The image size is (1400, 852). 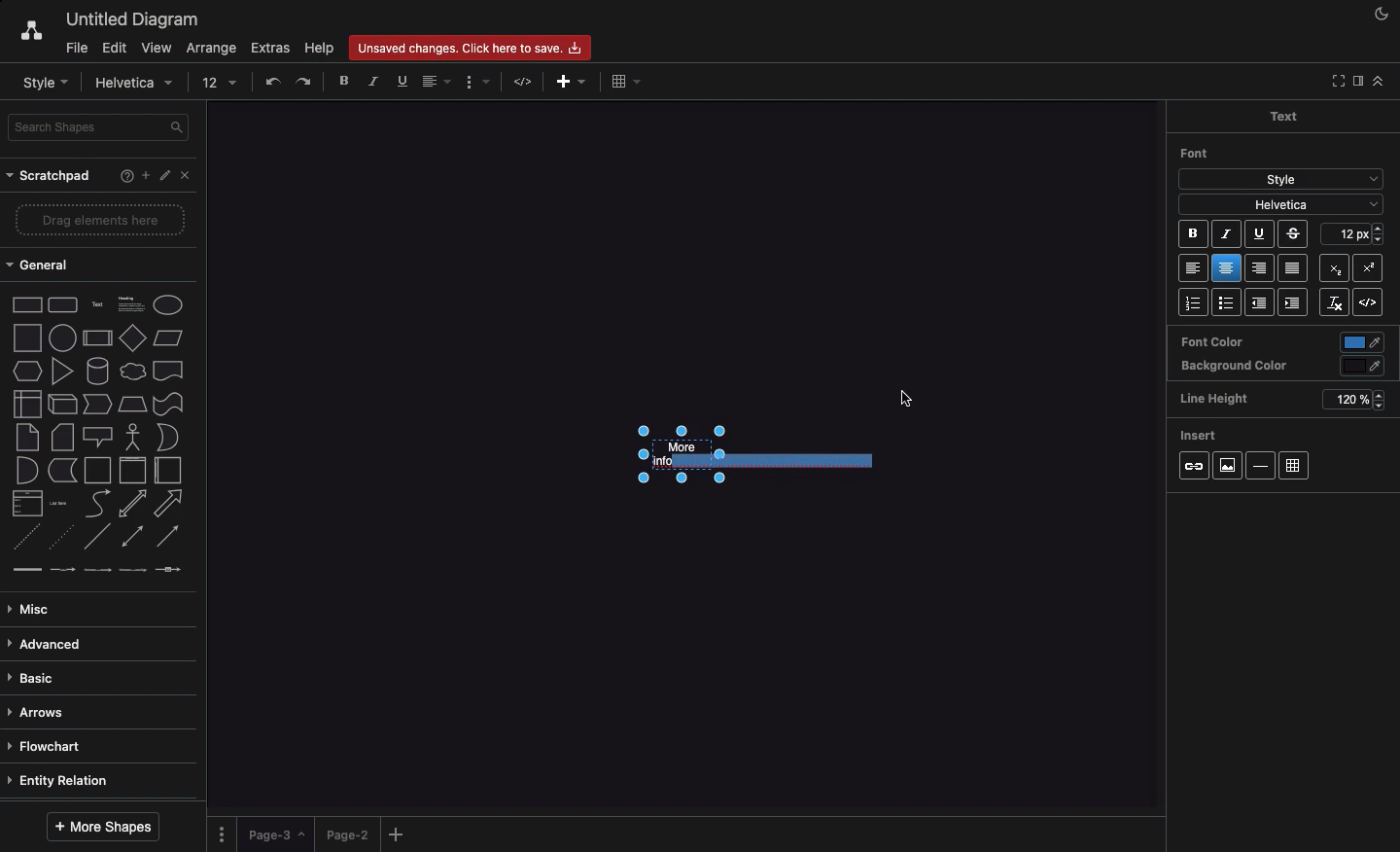 What do you see at coordinates (1335, 82) in the screenshot?
I see `Collapse` at bounding box center [1335, 82].